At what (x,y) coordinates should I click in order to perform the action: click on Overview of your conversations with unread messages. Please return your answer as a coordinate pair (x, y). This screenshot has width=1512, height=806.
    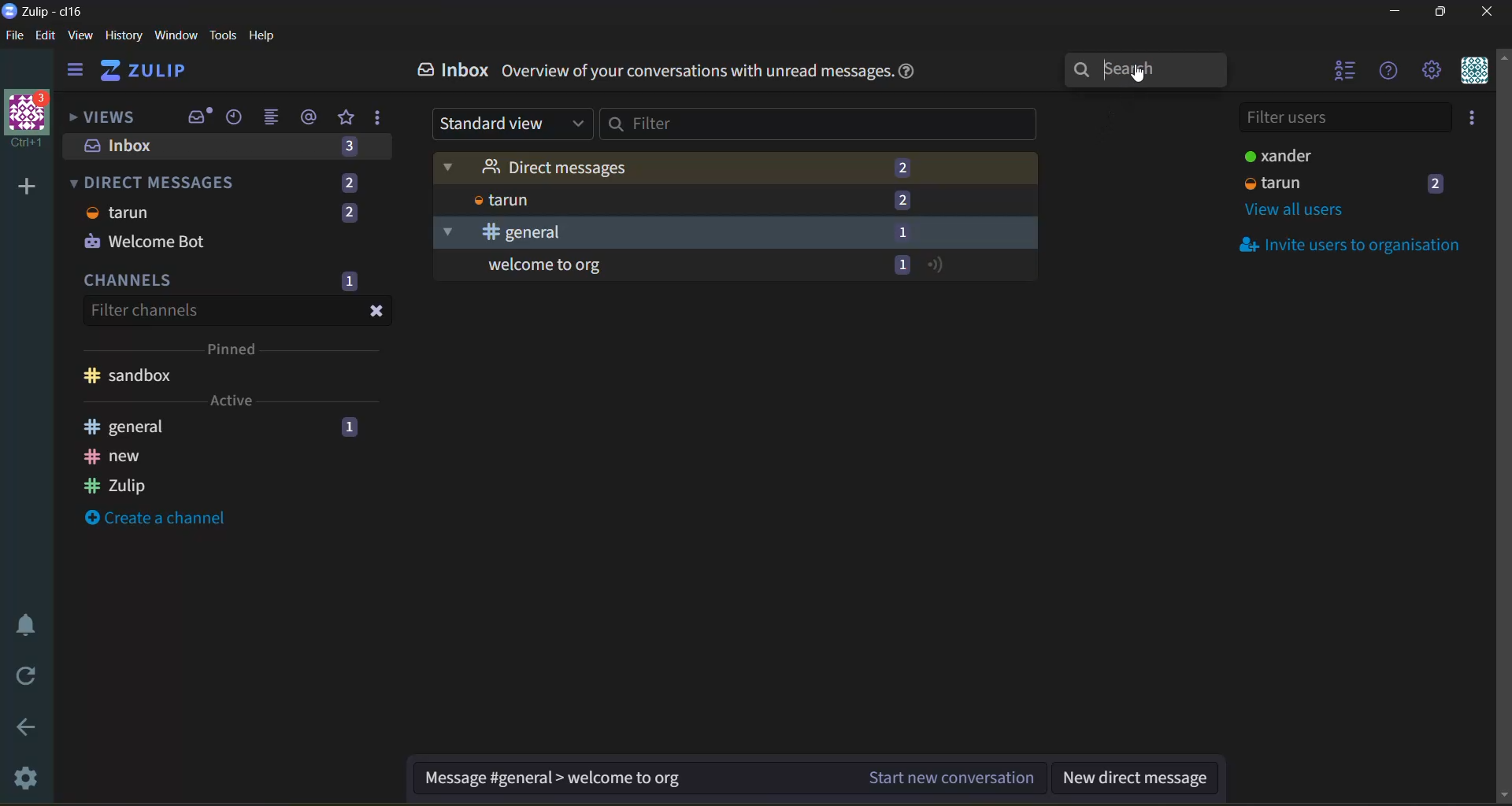
    Looking at the image, I should click on (697, 71).